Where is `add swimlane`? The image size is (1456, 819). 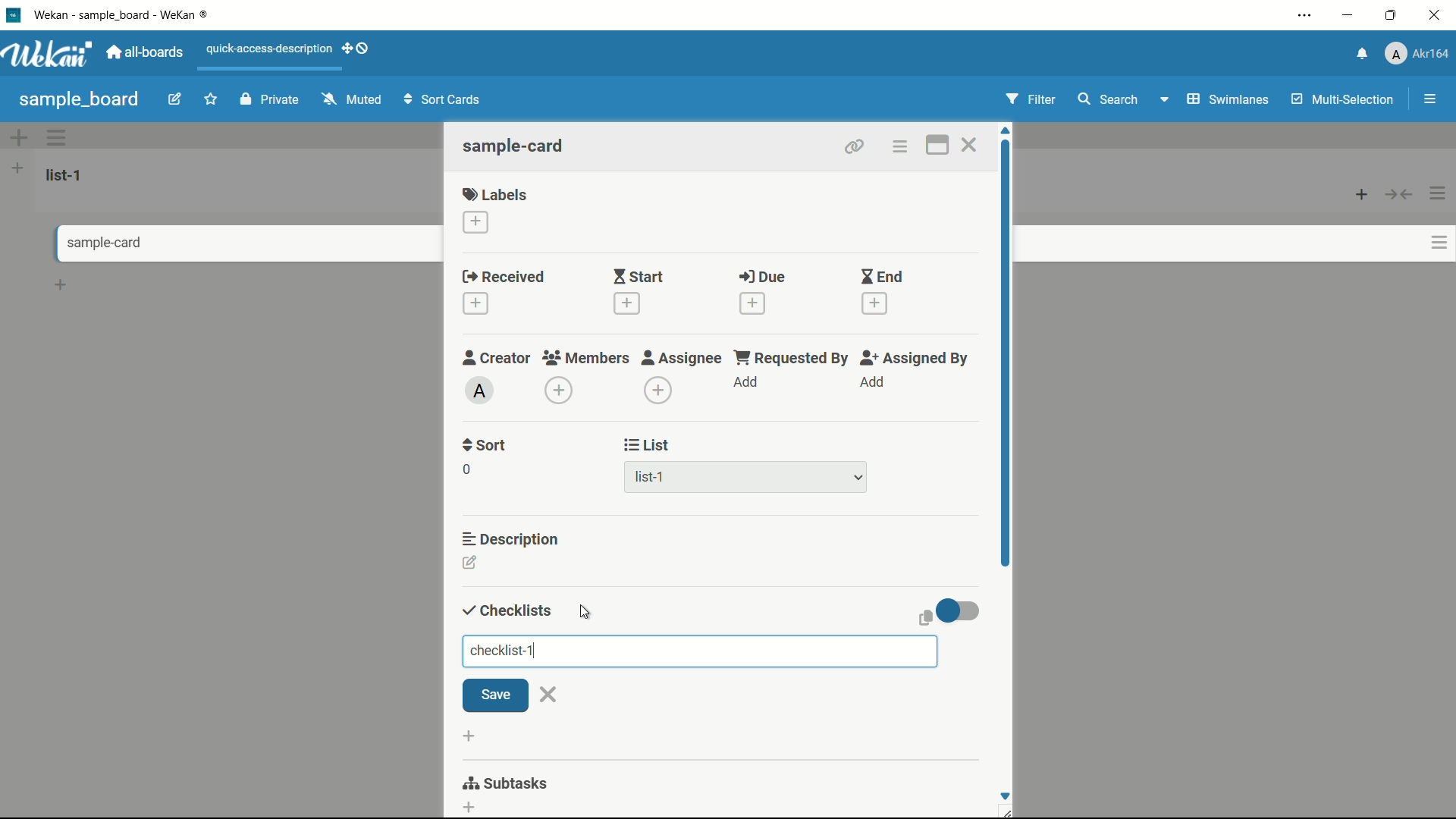 add swimlane is located at coordinates (17, 137).